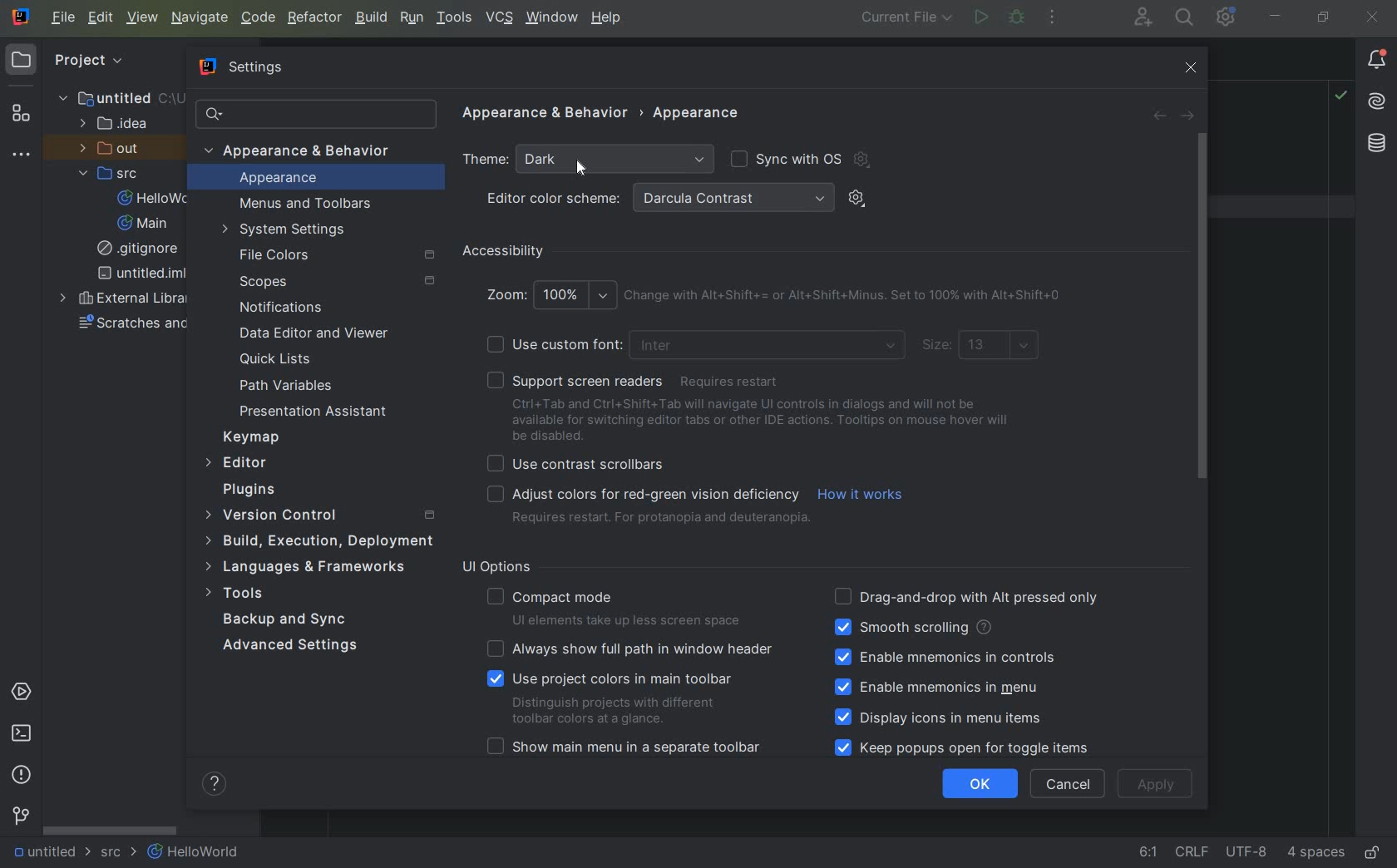 Image resolution: width=1397 pixels, height=868 pixels. Describe the element at coordinates (646, 507) in the screenshot. I see `ADJUST COLORS FOR RED-GREEN VISION DEFICIENCY` at that location.